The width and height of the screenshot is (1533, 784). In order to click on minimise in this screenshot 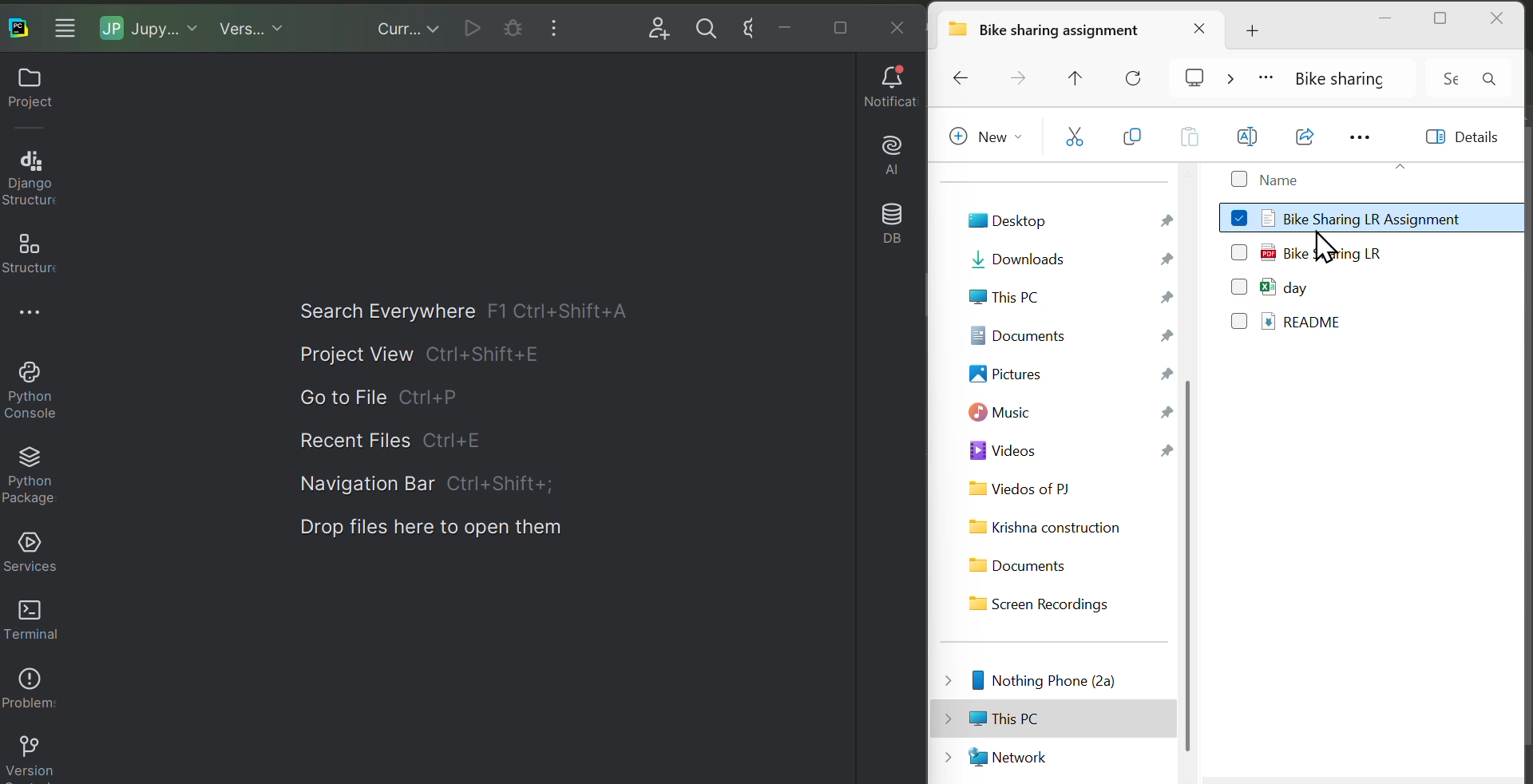, I will do `click(1387, 19)`.